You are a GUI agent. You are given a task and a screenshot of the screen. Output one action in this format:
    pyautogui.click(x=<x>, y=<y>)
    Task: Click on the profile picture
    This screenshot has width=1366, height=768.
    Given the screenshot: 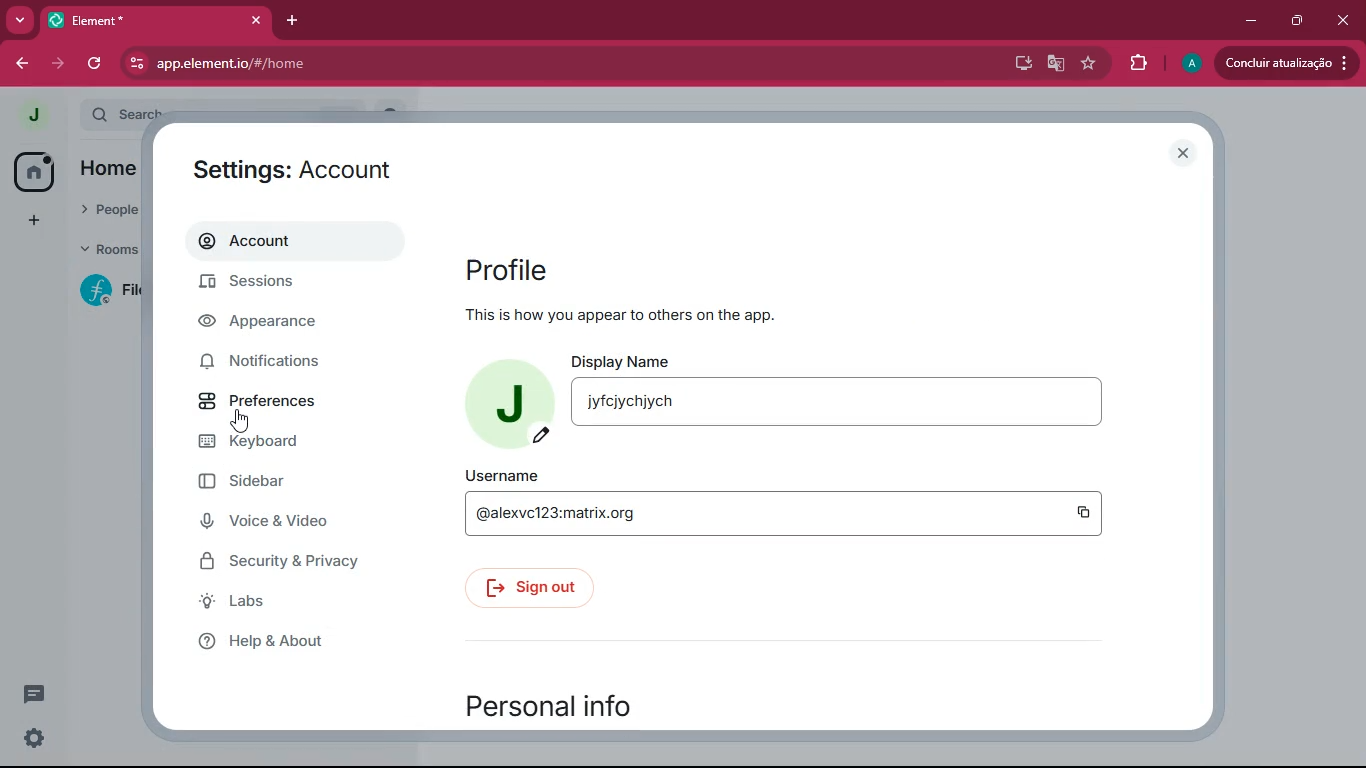 What is the action you would take?
    pyautogui.click(x=514, y=406)
    